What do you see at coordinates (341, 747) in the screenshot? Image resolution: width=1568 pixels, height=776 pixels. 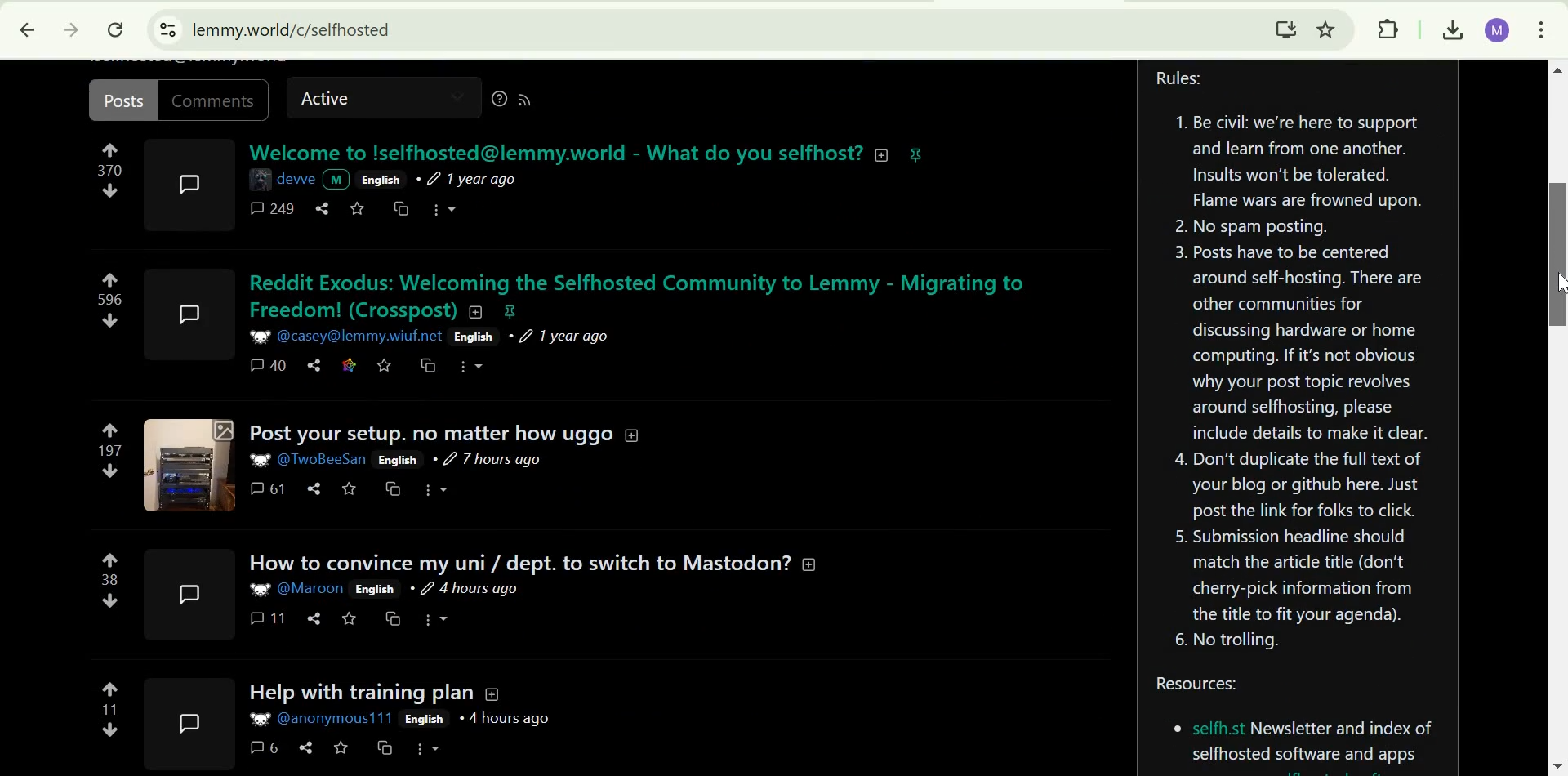 I see `save` at bounding box center [341, 747].